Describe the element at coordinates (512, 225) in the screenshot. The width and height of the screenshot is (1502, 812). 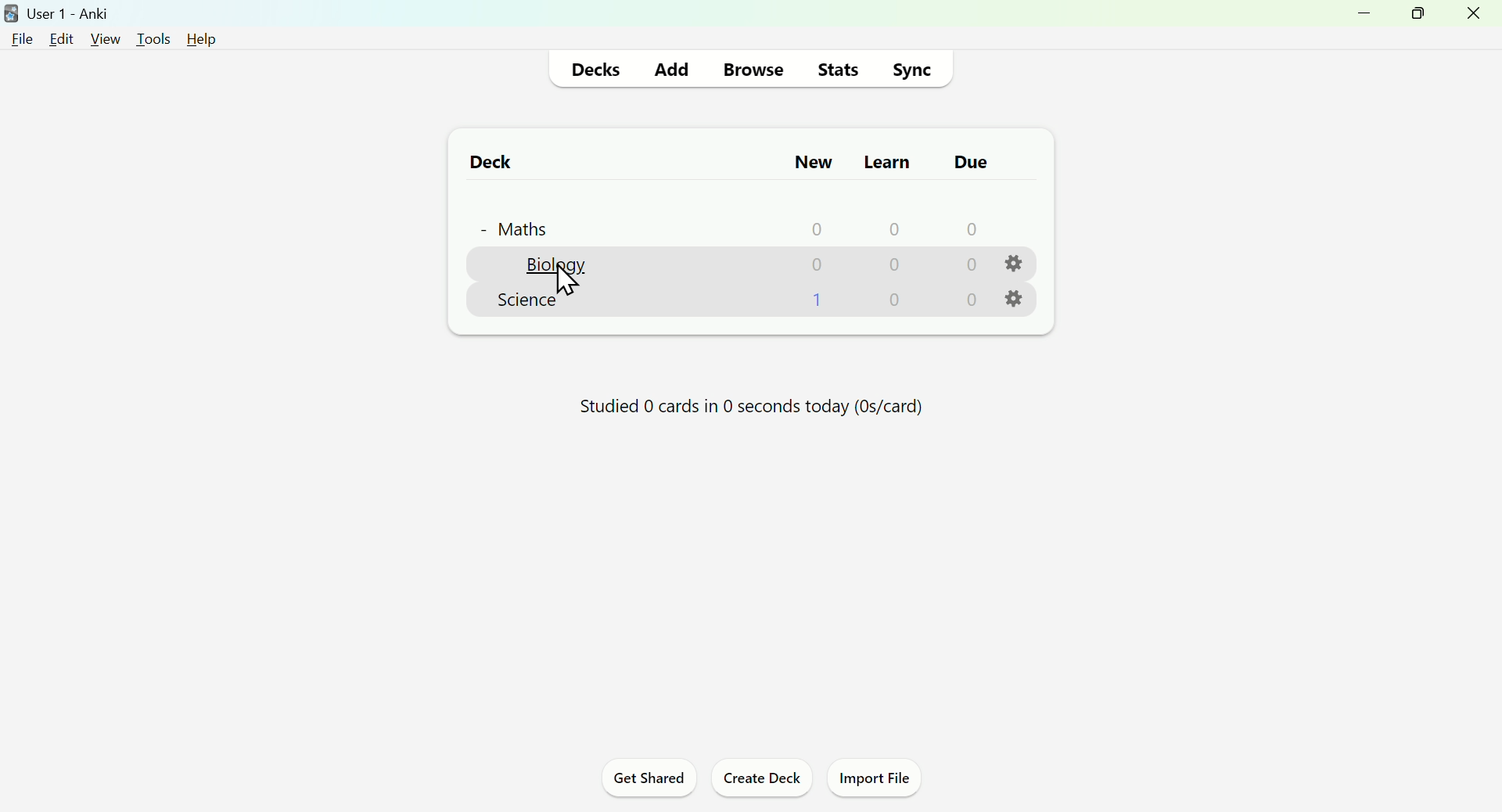
I see `Maths` at that location.